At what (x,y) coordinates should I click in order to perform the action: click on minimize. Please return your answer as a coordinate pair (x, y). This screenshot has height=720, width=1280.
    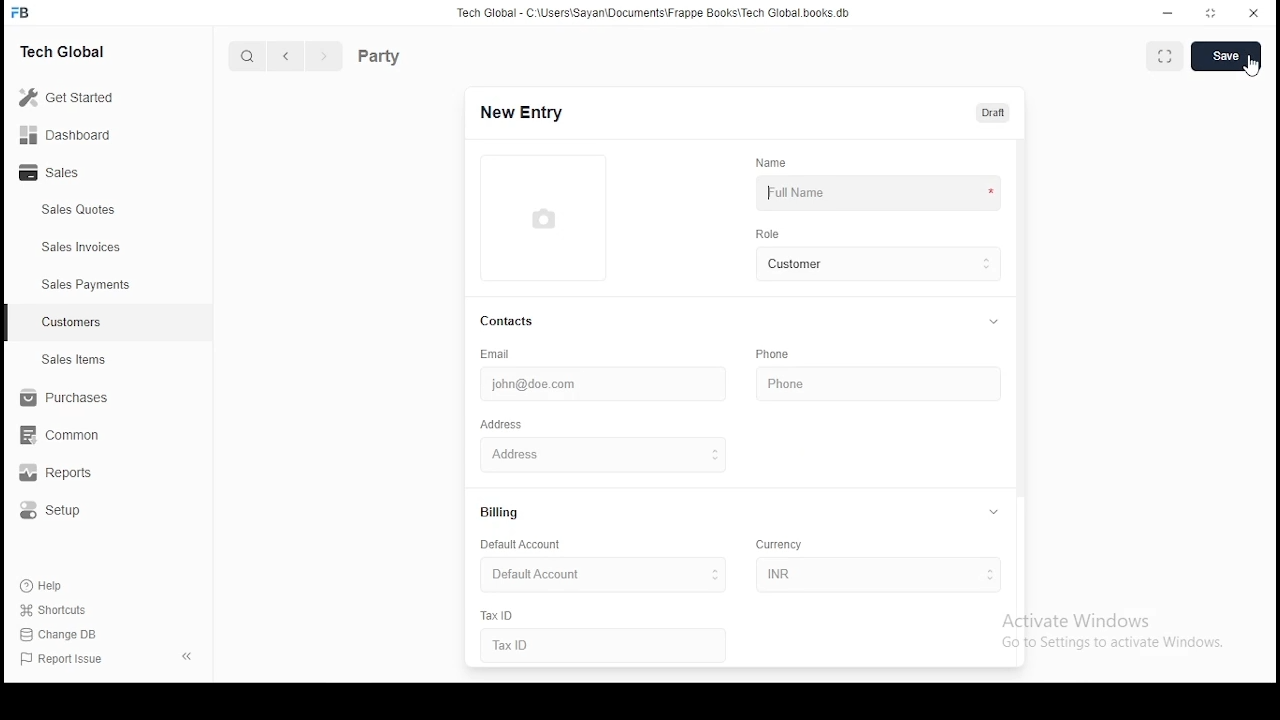
    Looking at the image, I should click on (1169, 13).